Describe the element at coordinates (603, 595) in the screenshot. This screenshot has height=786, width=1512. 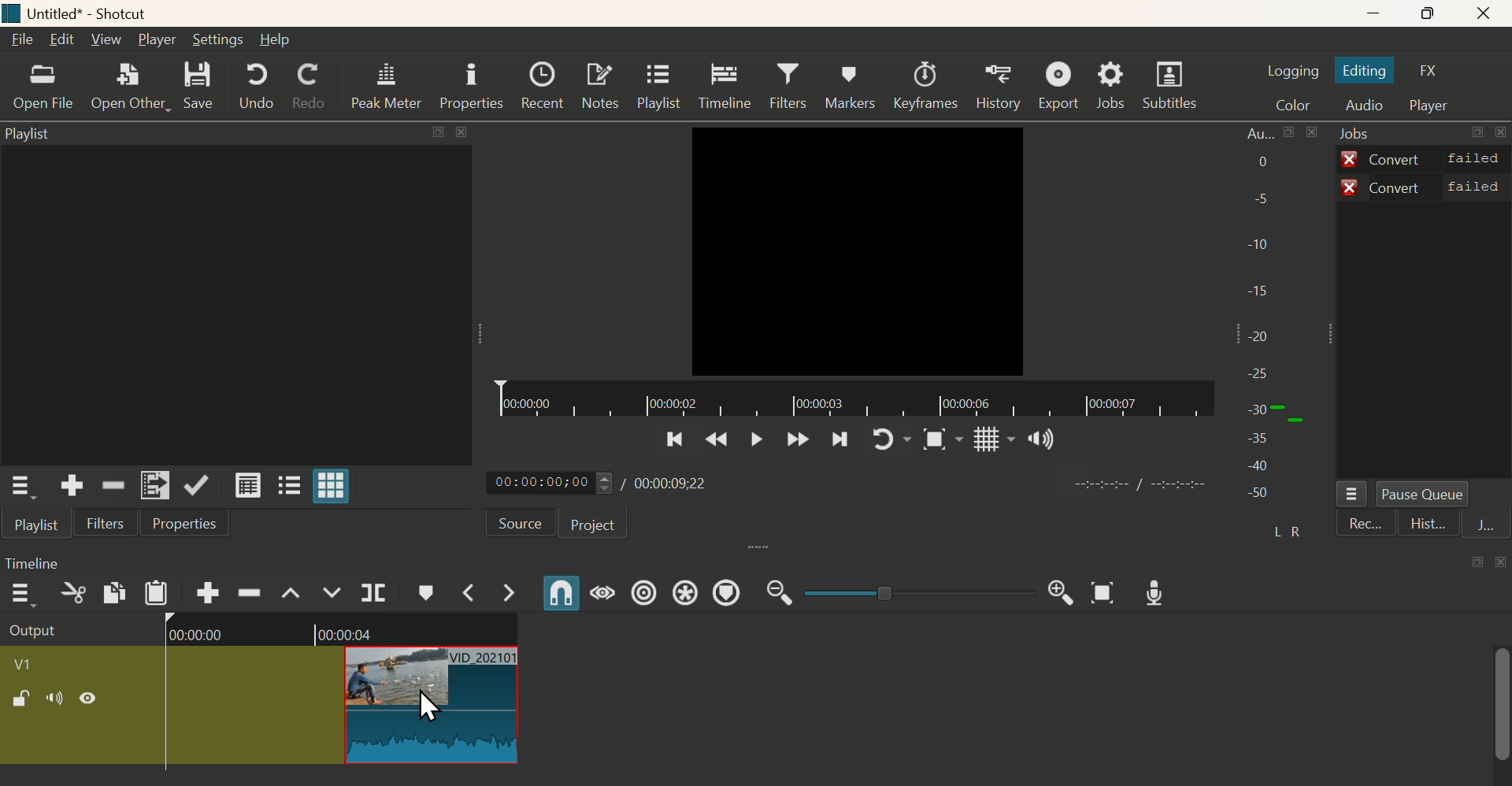
I see `` at that location.